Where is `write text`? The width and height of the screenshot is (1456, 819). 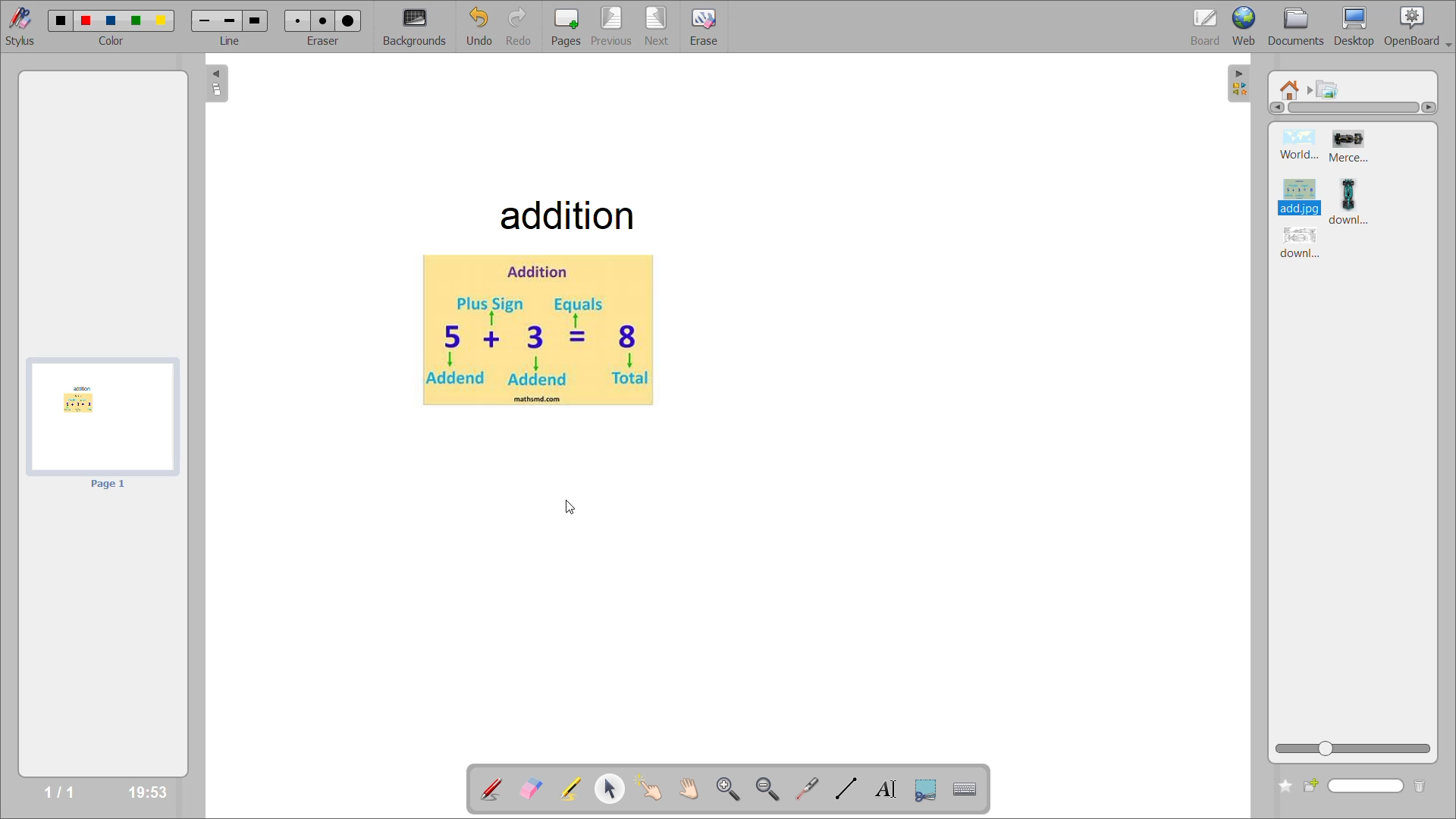 write text is located at coordinates (890, 789).